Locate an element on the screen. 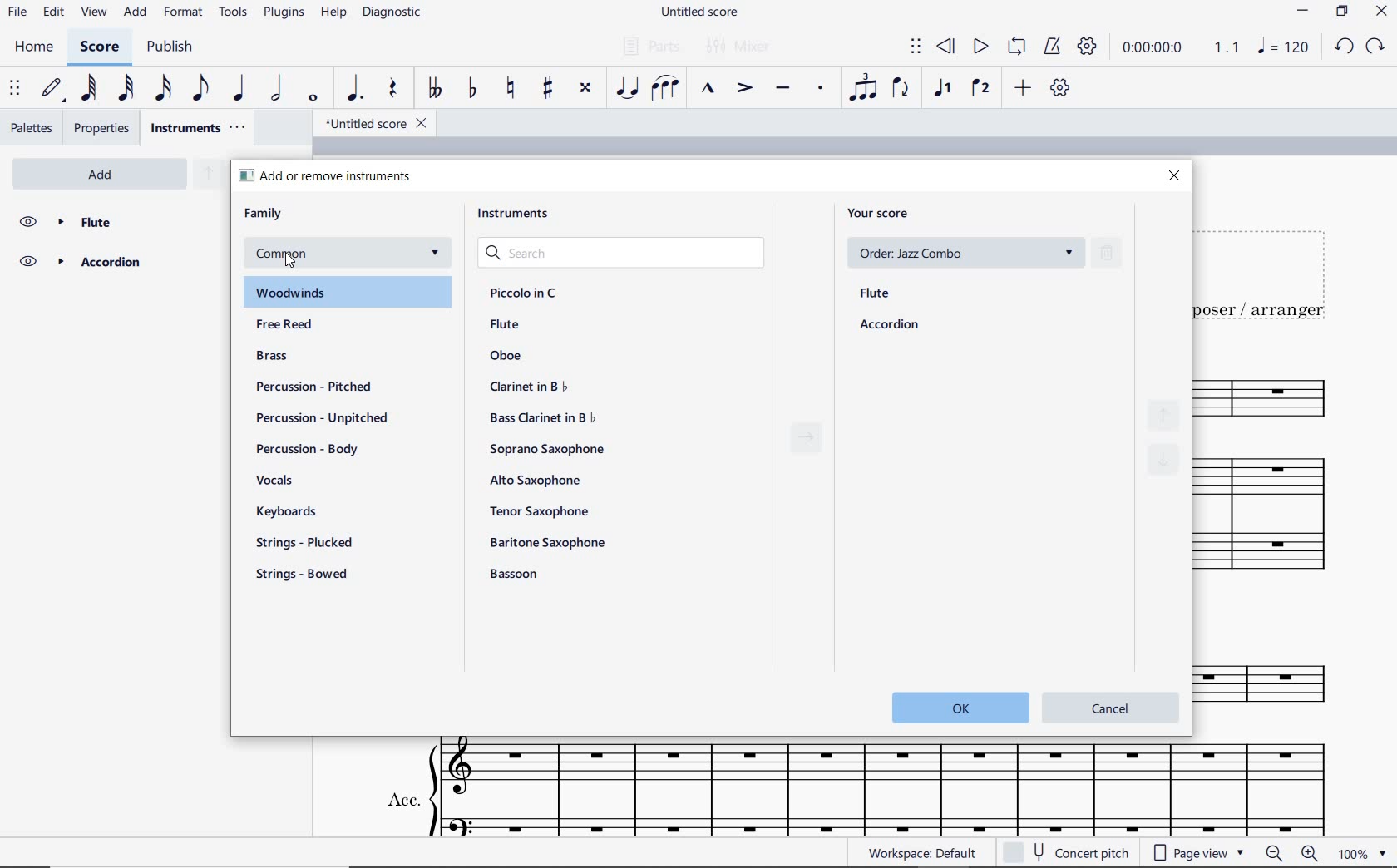  your score is located at coordinates (881, 214).